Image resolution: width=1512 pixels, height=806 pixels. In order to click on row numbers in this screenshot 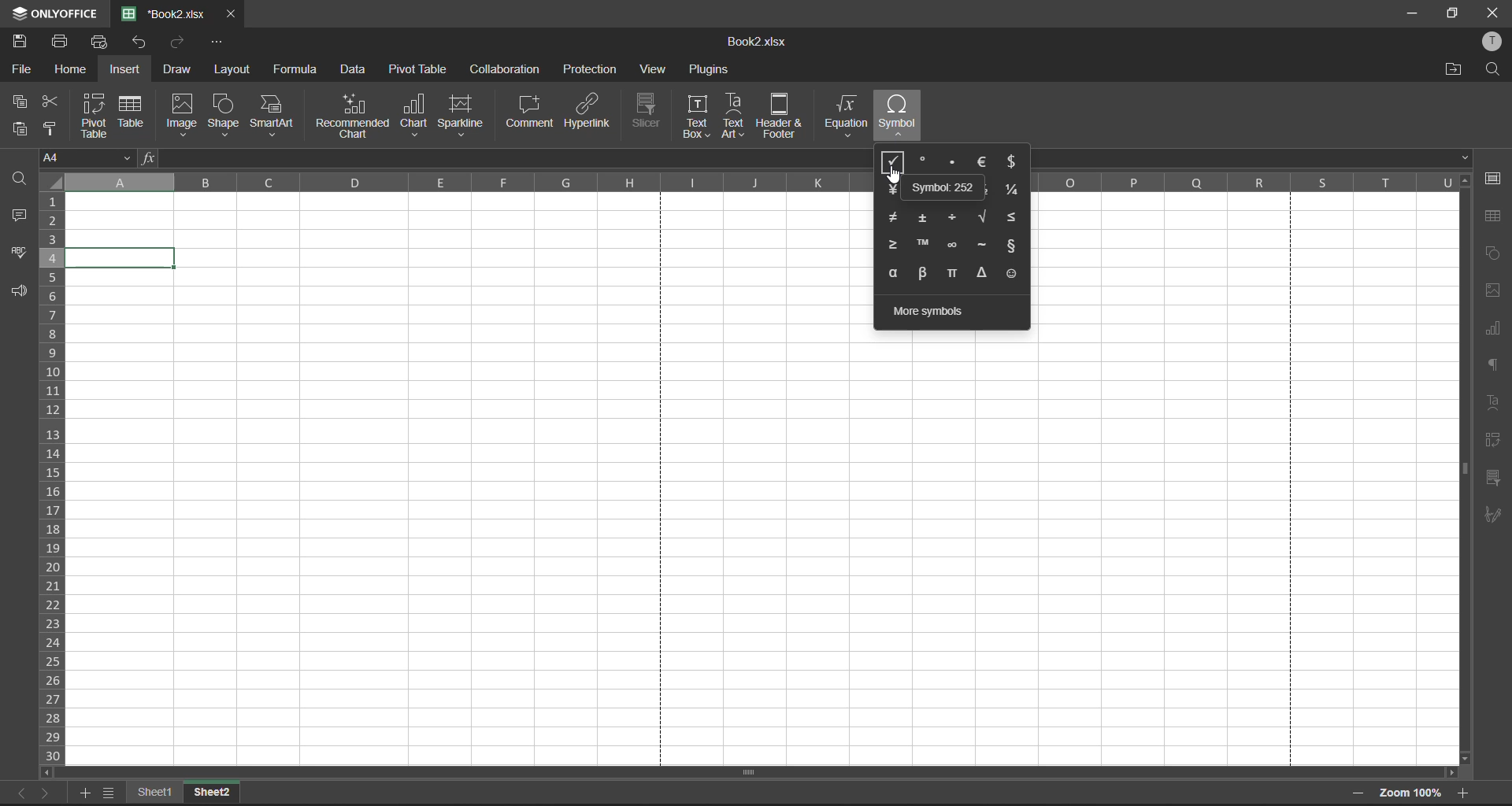, I will do `click(54, 482)`.